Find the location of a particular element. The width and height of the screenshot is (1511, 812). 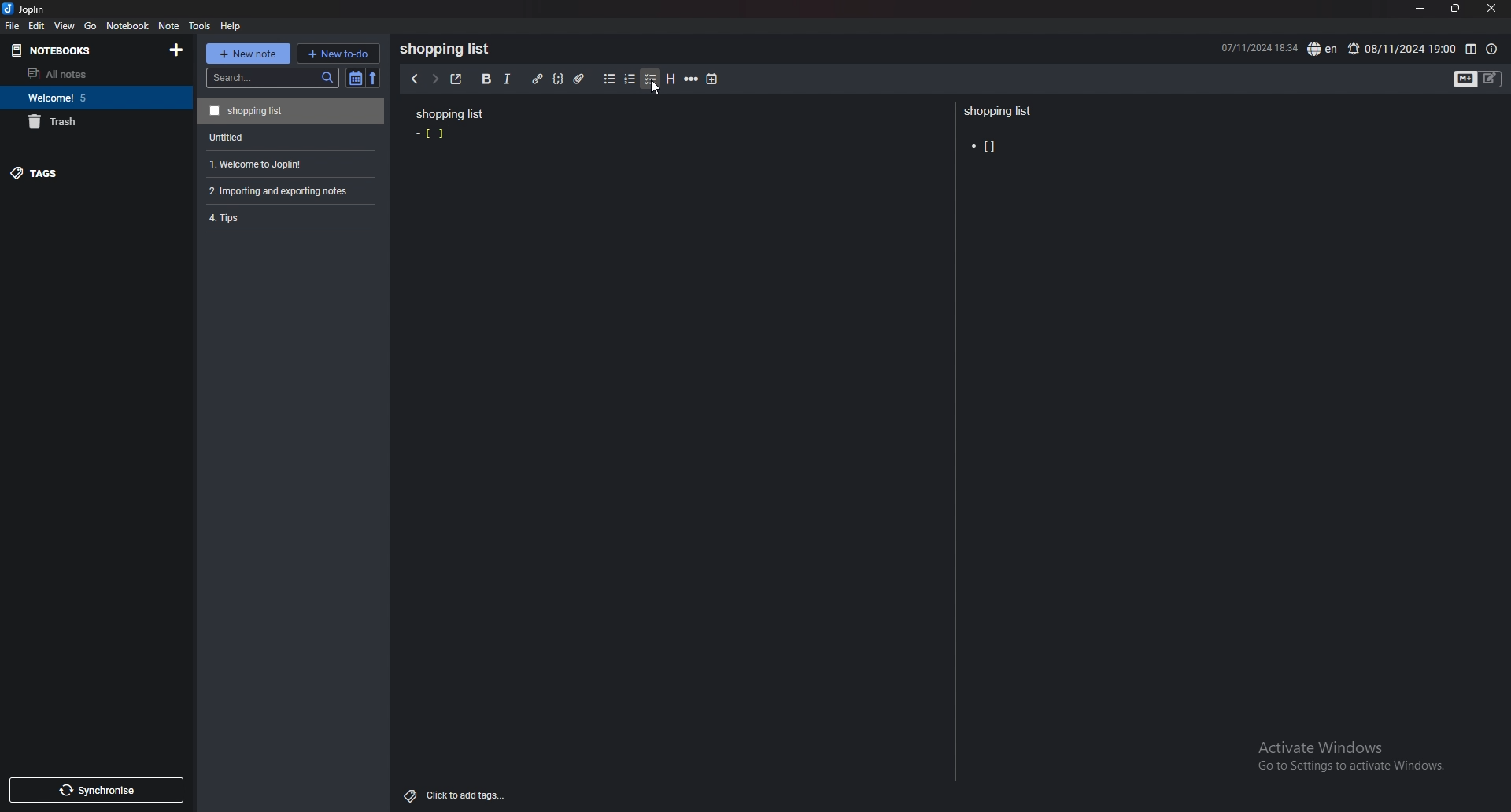

notebook is located at coordinates (128, 25).